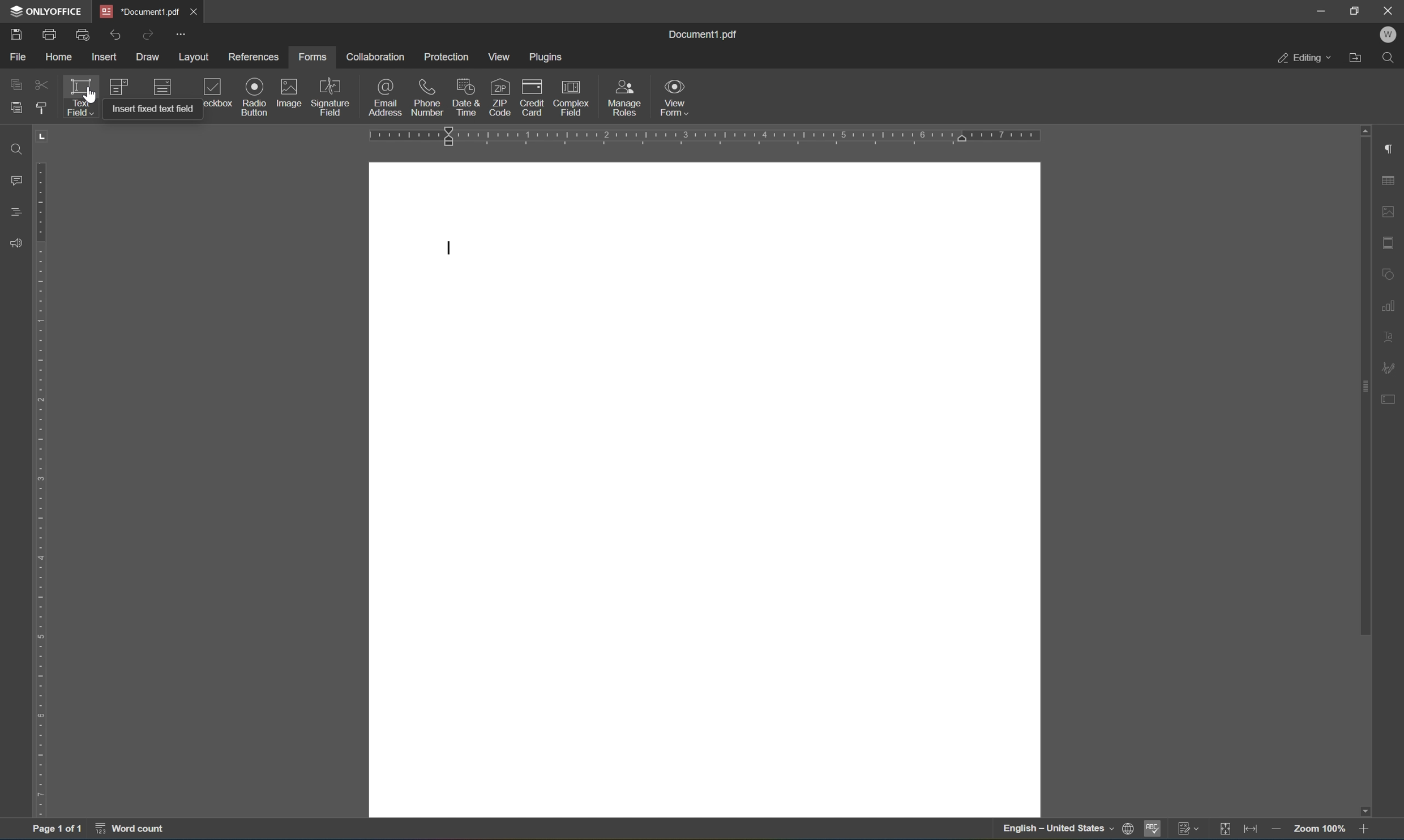 The width and height of the screenshot is (1404, 840). Describe the element at coordinates (40, 111) in the screenshot. I see `copy style` at that location.